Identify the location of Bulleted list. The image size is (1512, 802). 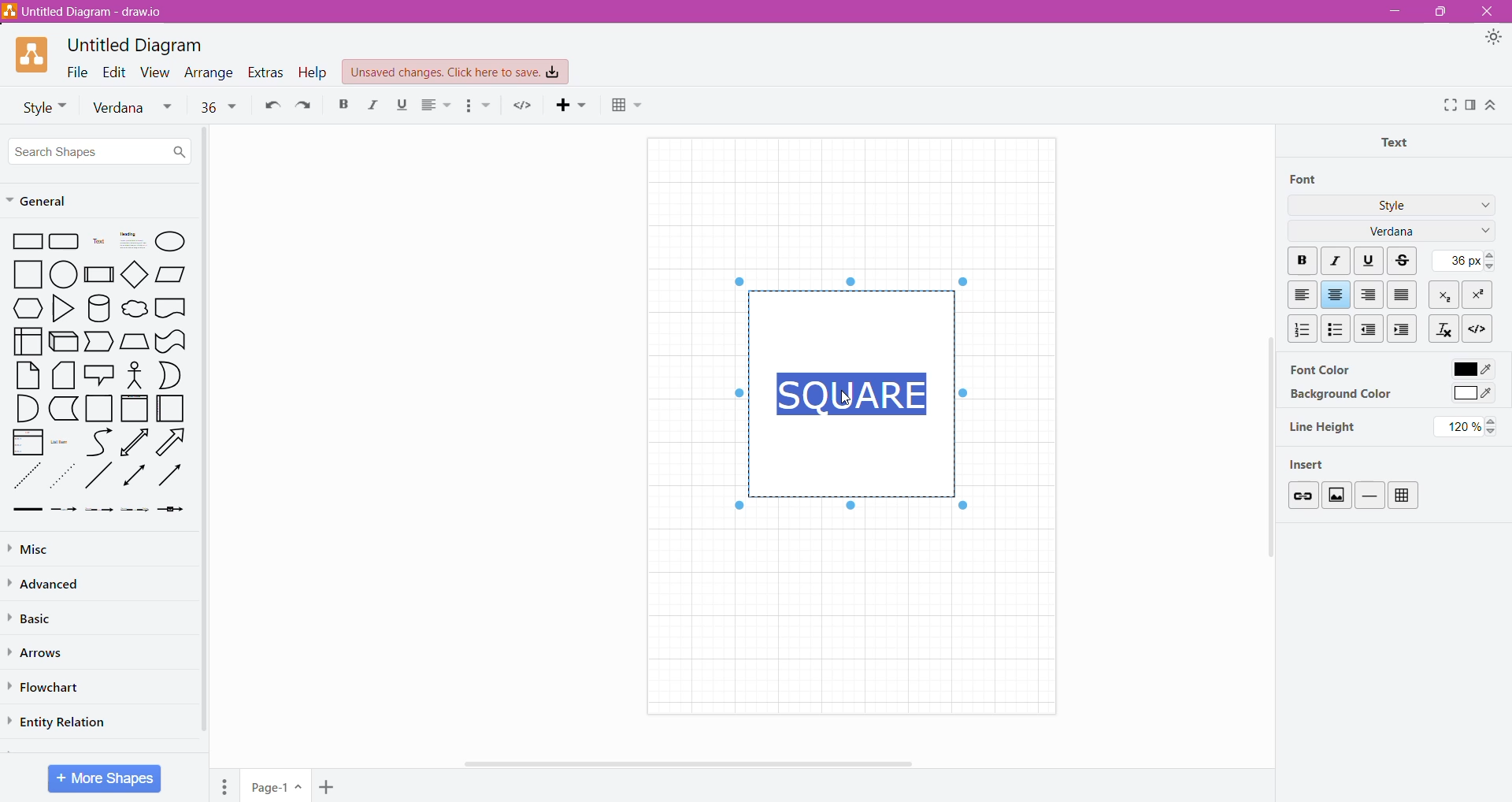
(480, 106).